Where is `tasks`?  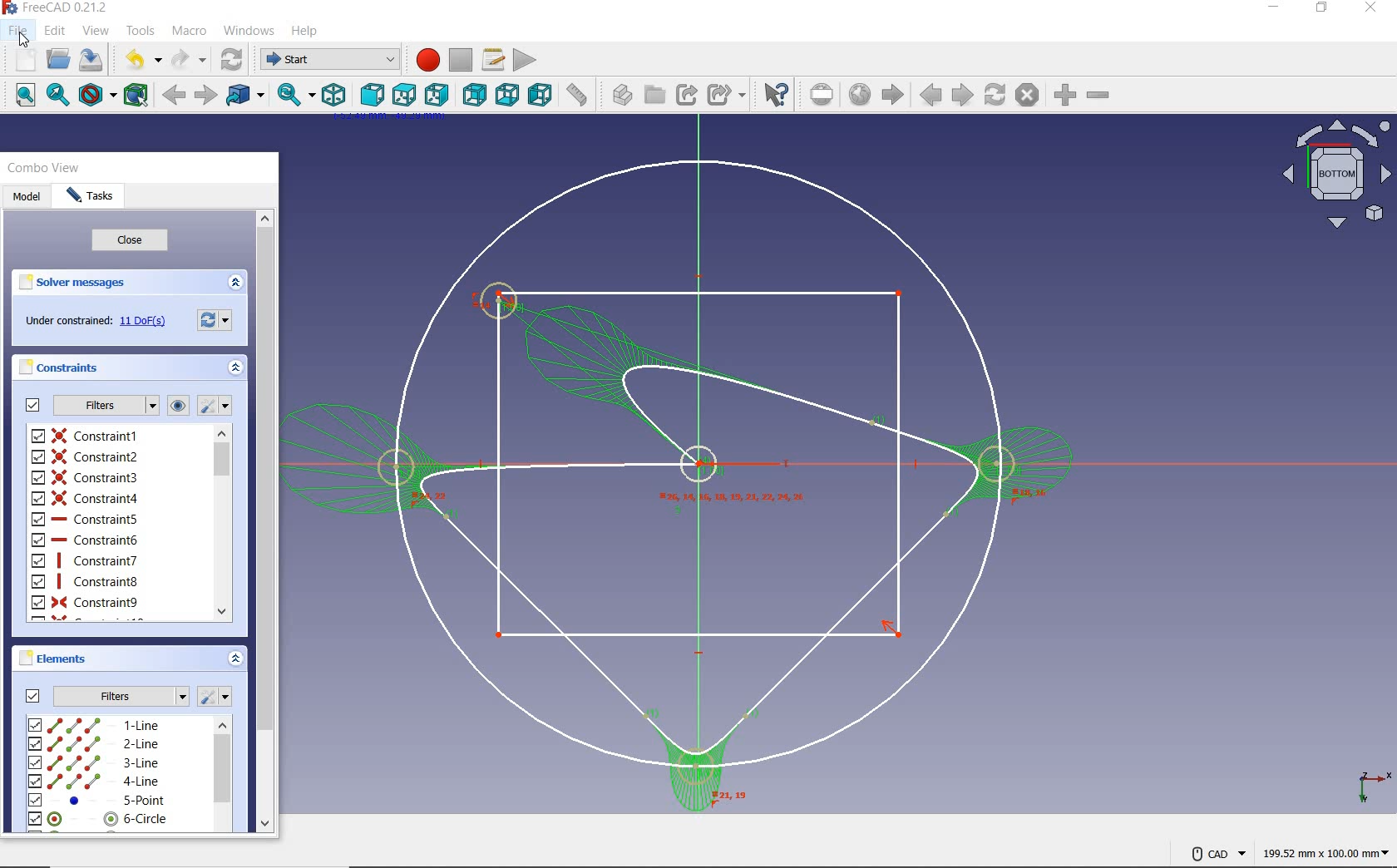 tasks is located at coordinates (91, 197).